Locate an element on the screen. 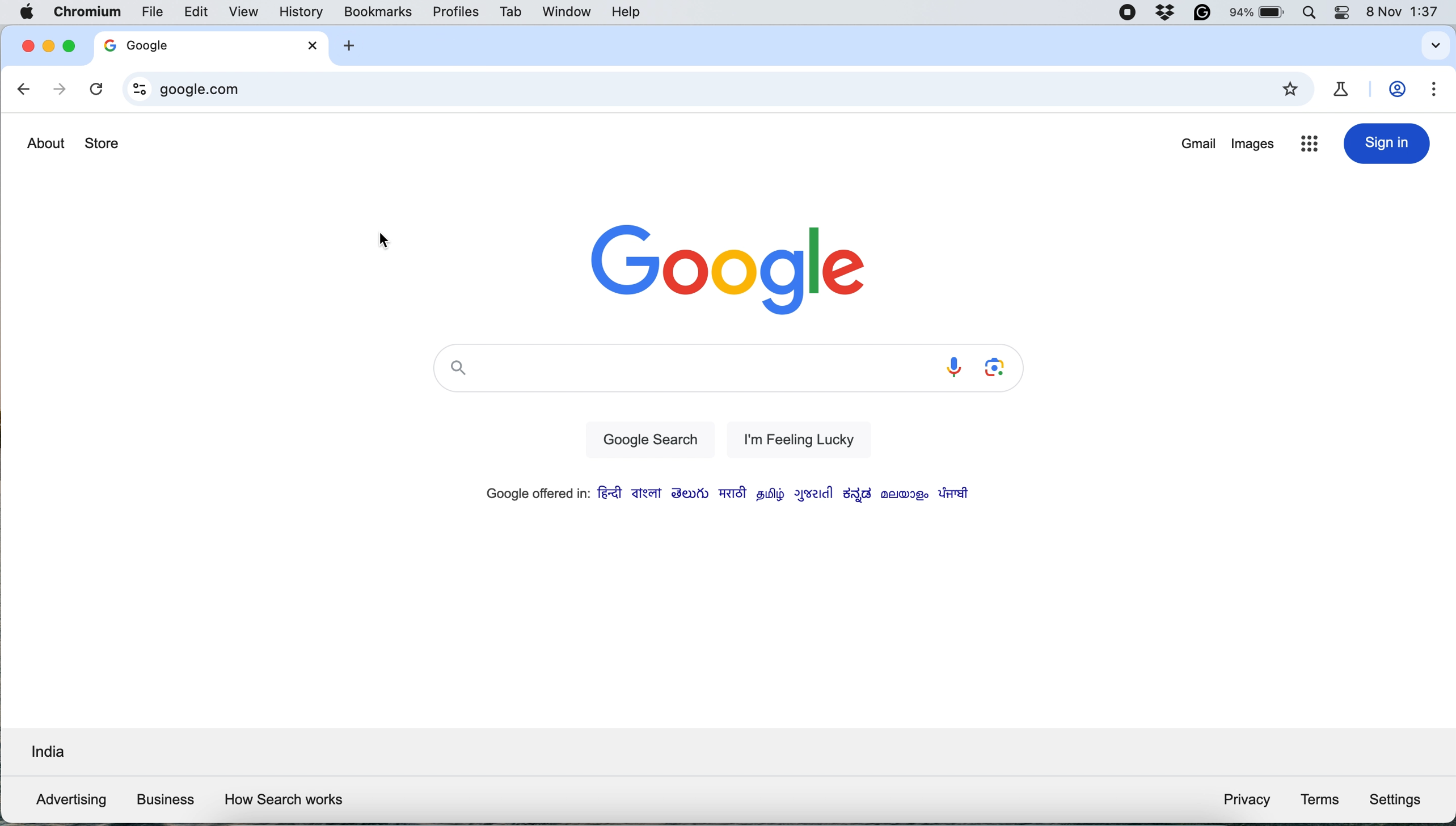 Image resolution: width=1456 pixels, height=826 pixels. dropbox is located at coordinates (1167, 14).